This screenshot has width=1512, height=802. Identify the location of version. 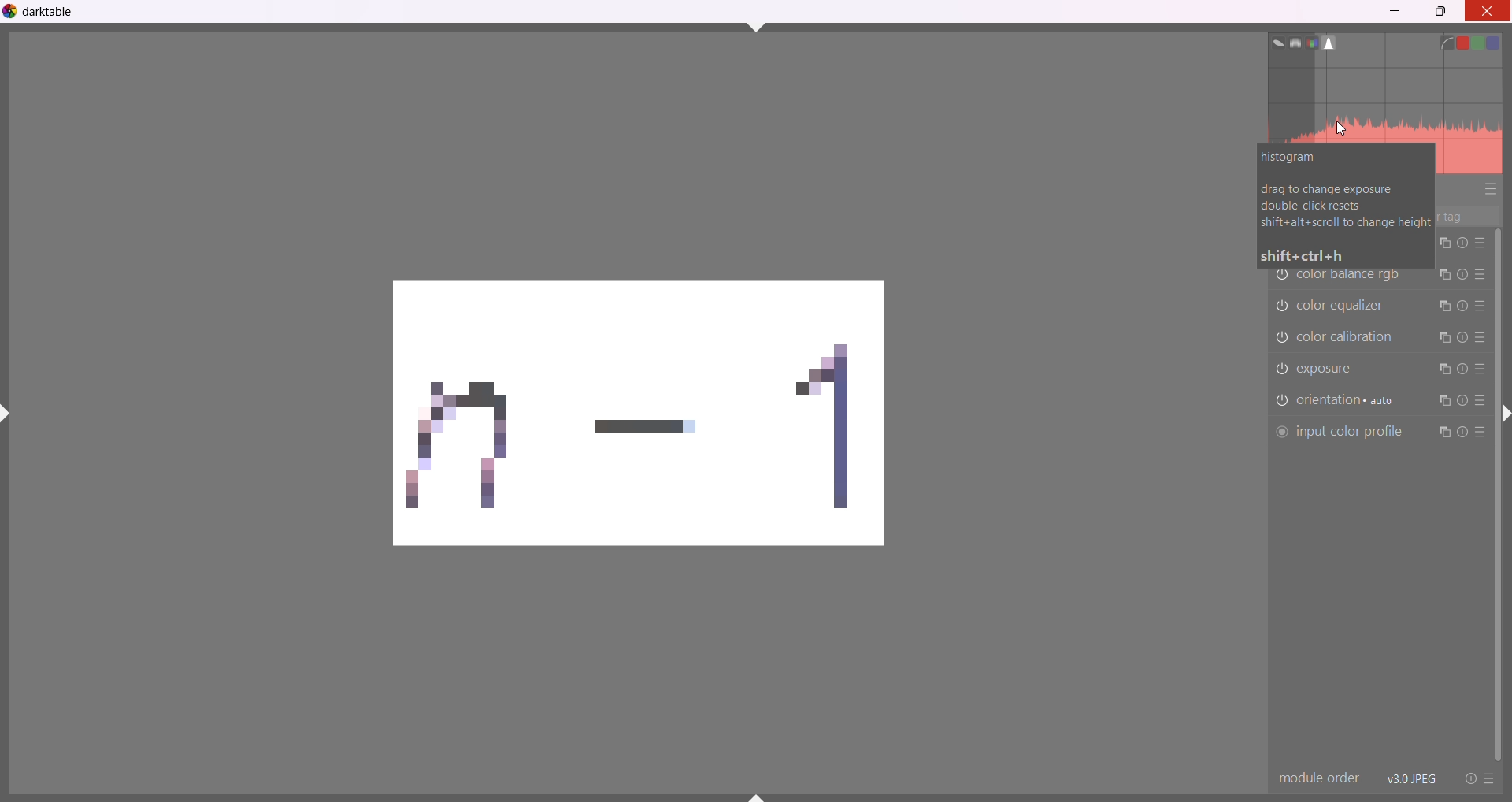
(1412, 778).